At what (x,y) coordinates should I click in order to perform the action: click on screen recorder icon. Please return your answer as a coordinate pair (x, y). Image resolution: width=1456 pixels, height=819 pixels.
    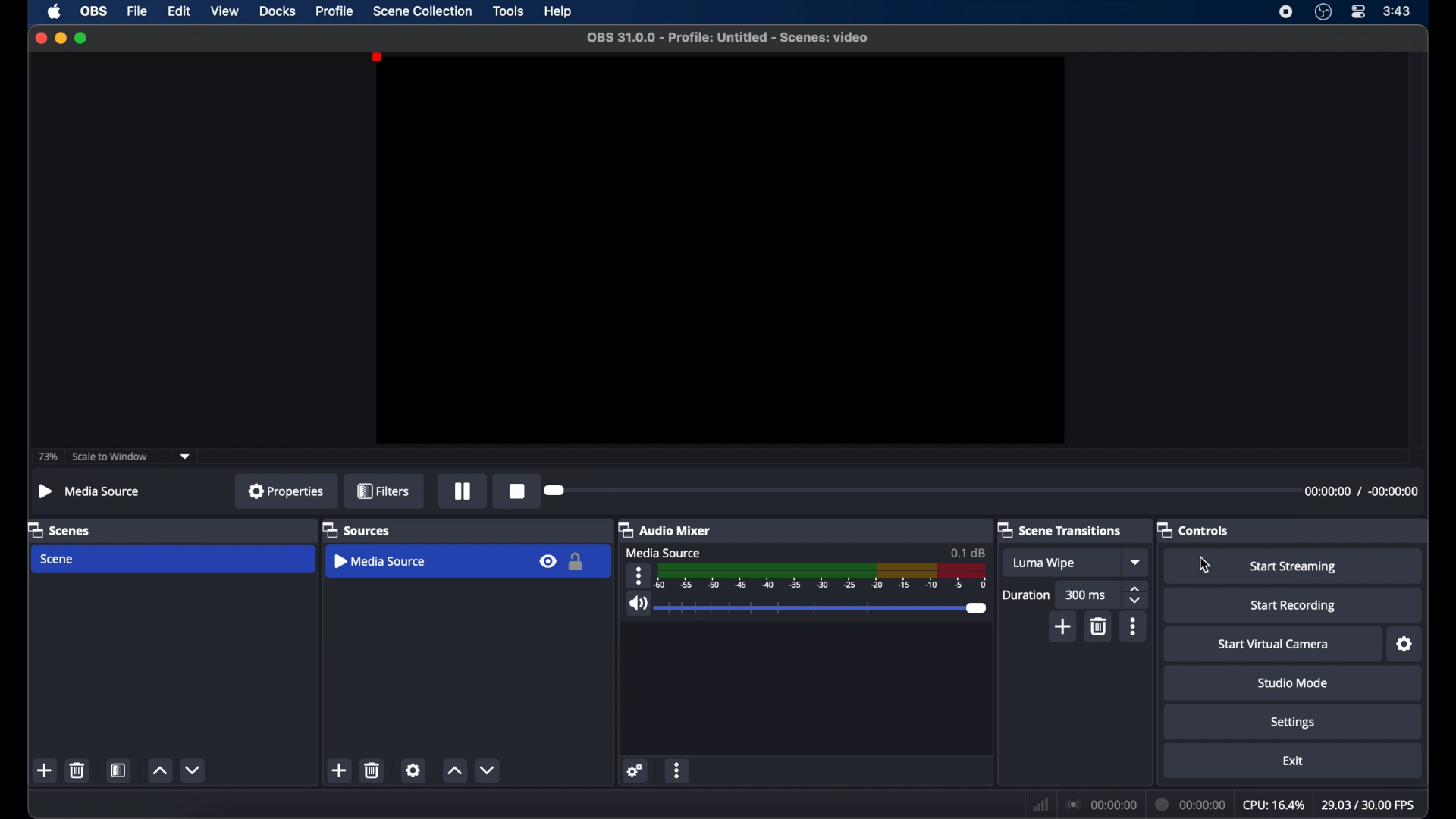
    Looking at the image, I should click on (1285, 11).